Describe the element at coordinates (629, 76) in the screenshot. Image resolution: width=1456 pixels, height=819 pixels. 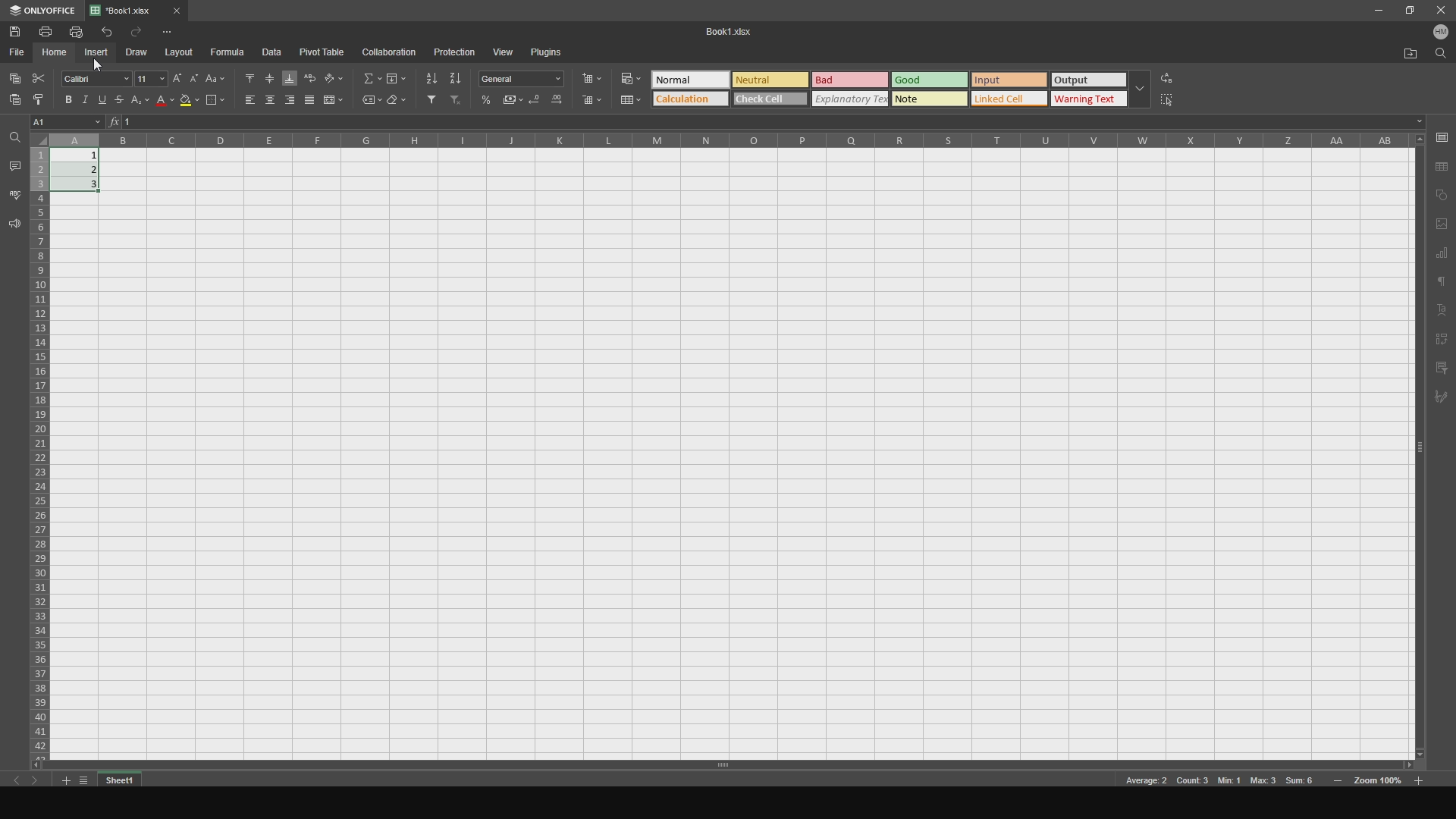
I see `` at that location.